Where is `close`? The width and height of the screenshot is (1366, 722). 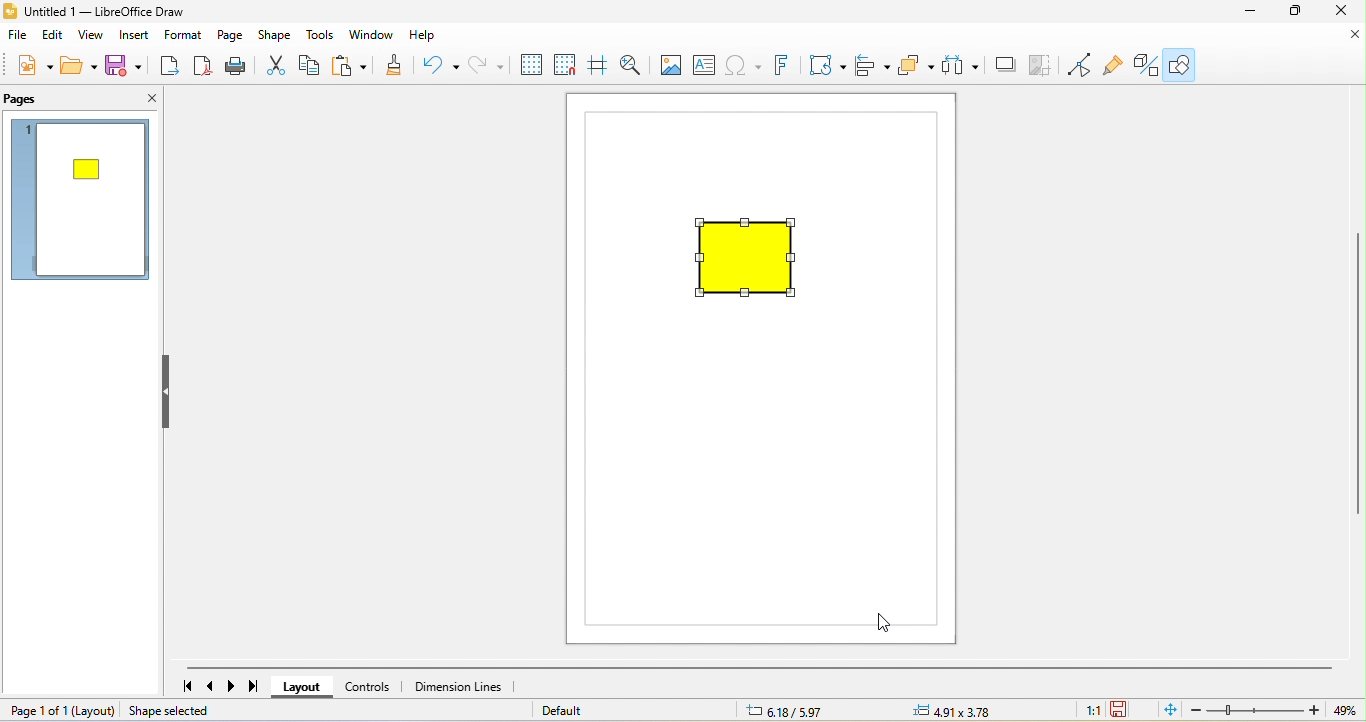 close is located at coordinates (1351, 36).